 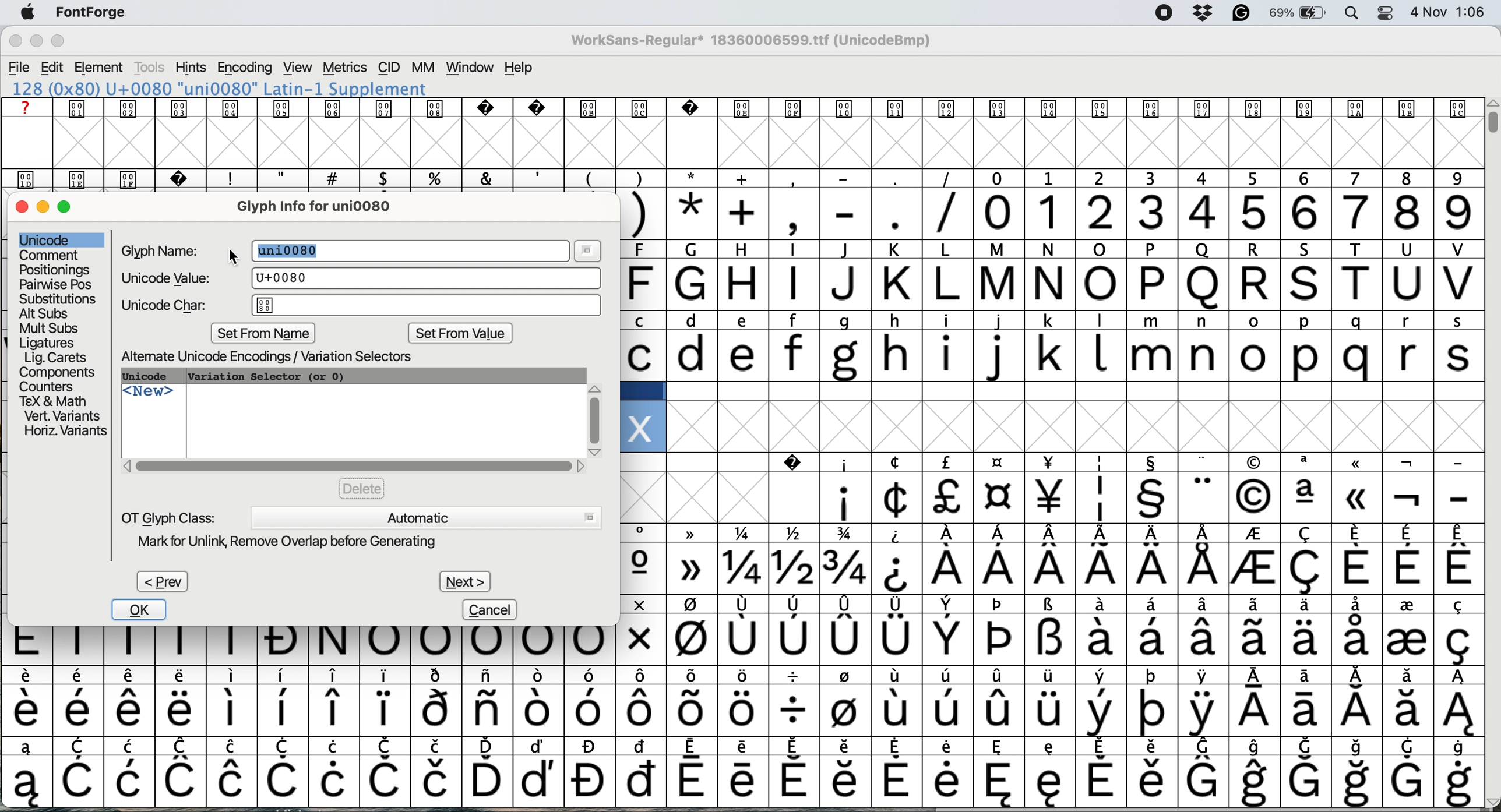 What do you see at coordinates (1383, 12) in the screenshot?
I see `control center` at bounding box center [1383, 12].